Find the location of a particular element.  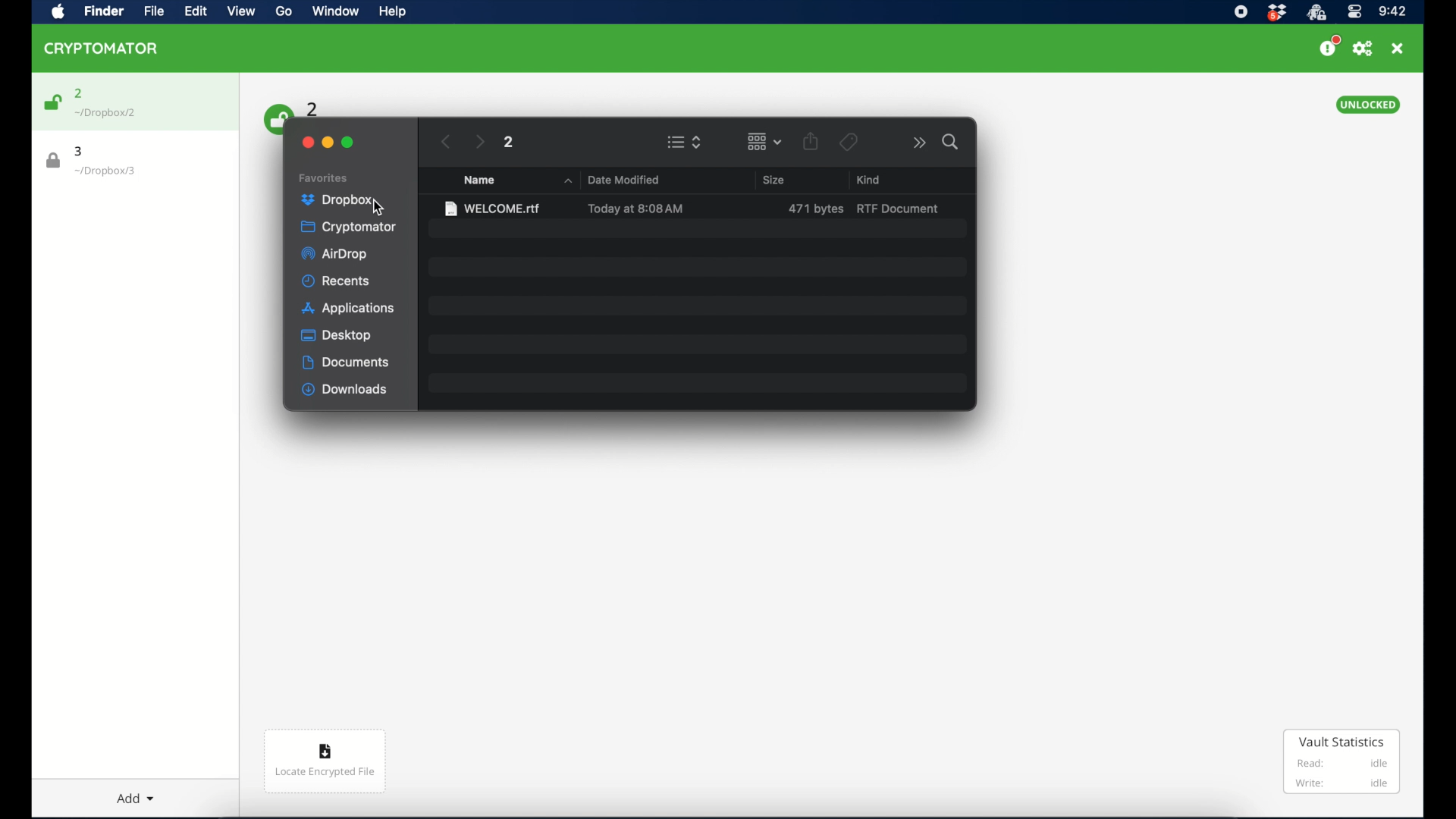

documents is located at coordinates (346, 362).